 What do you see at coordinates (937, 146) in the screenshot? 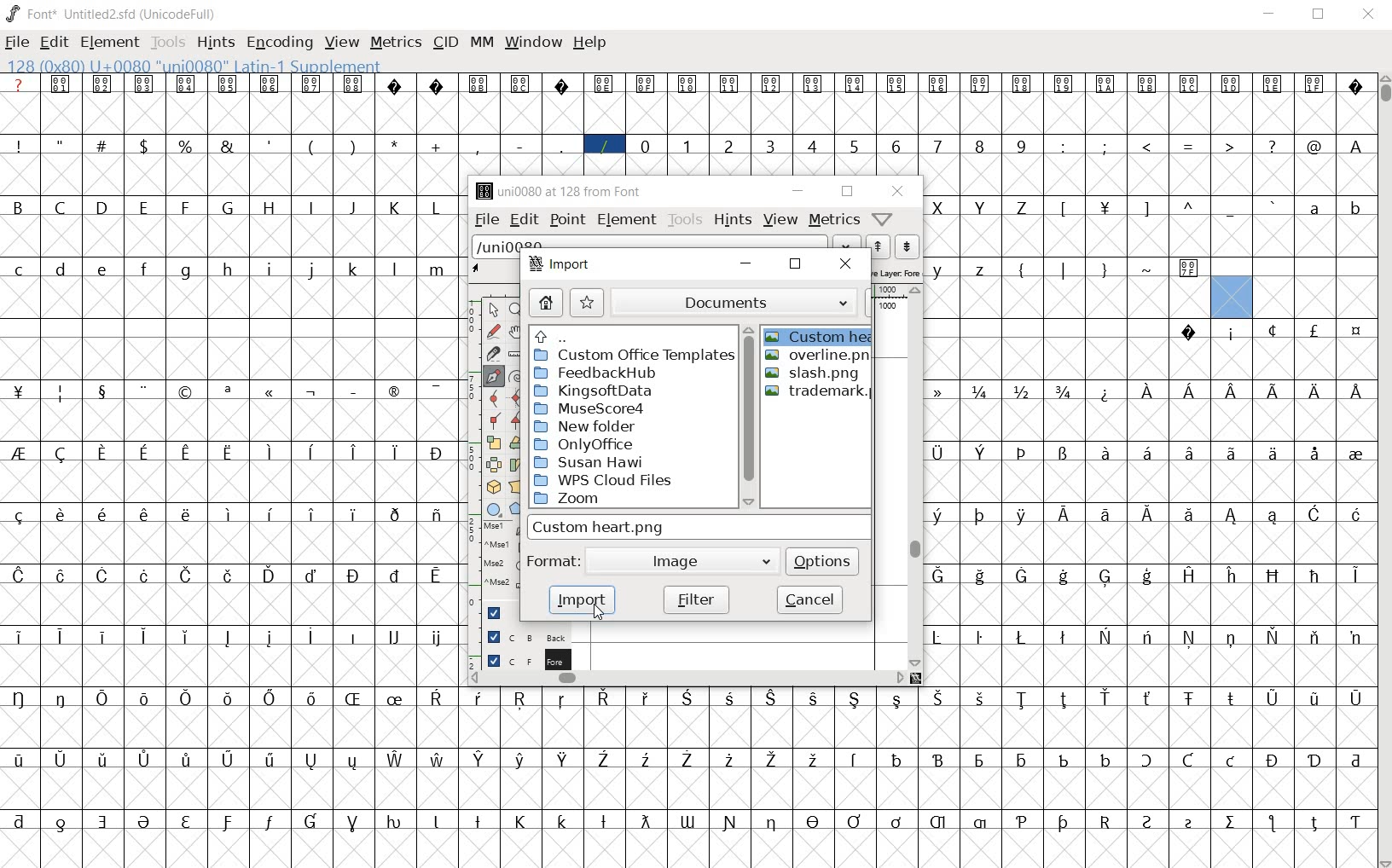
I see `glyph` at bounding box center [937, 146].